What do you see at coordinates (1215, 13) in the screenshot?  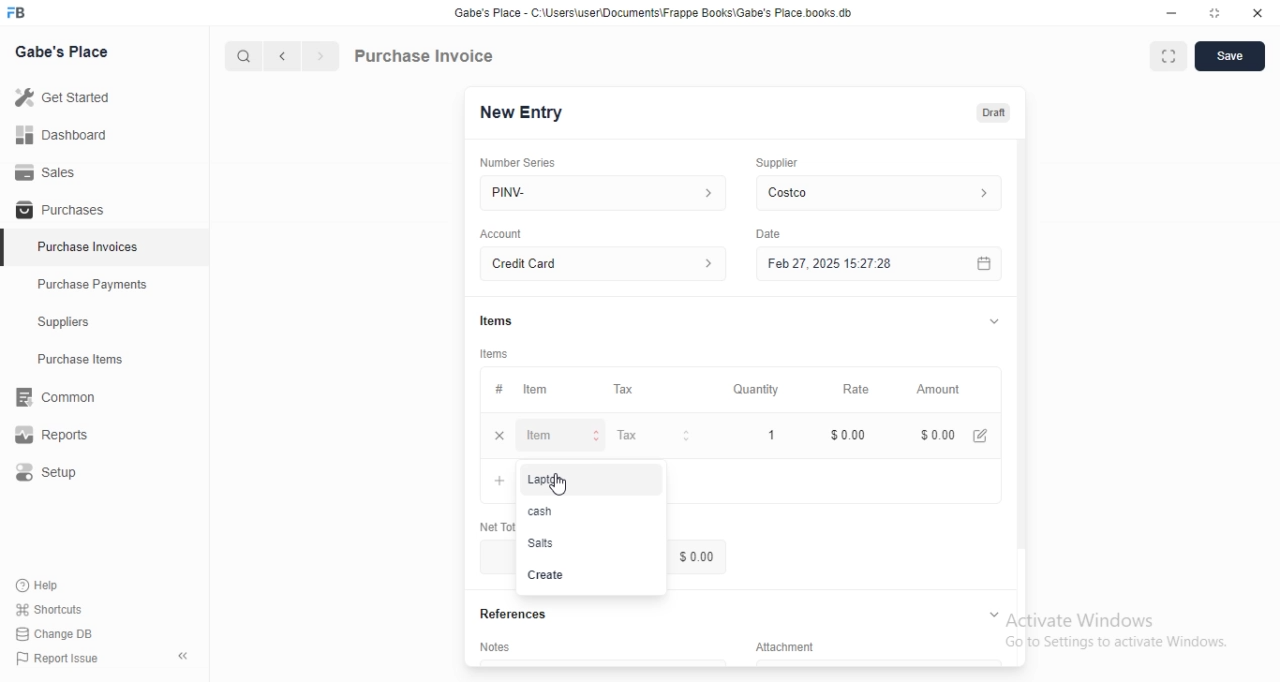 I see `Change dimension` at bounding box center [1215, 13].